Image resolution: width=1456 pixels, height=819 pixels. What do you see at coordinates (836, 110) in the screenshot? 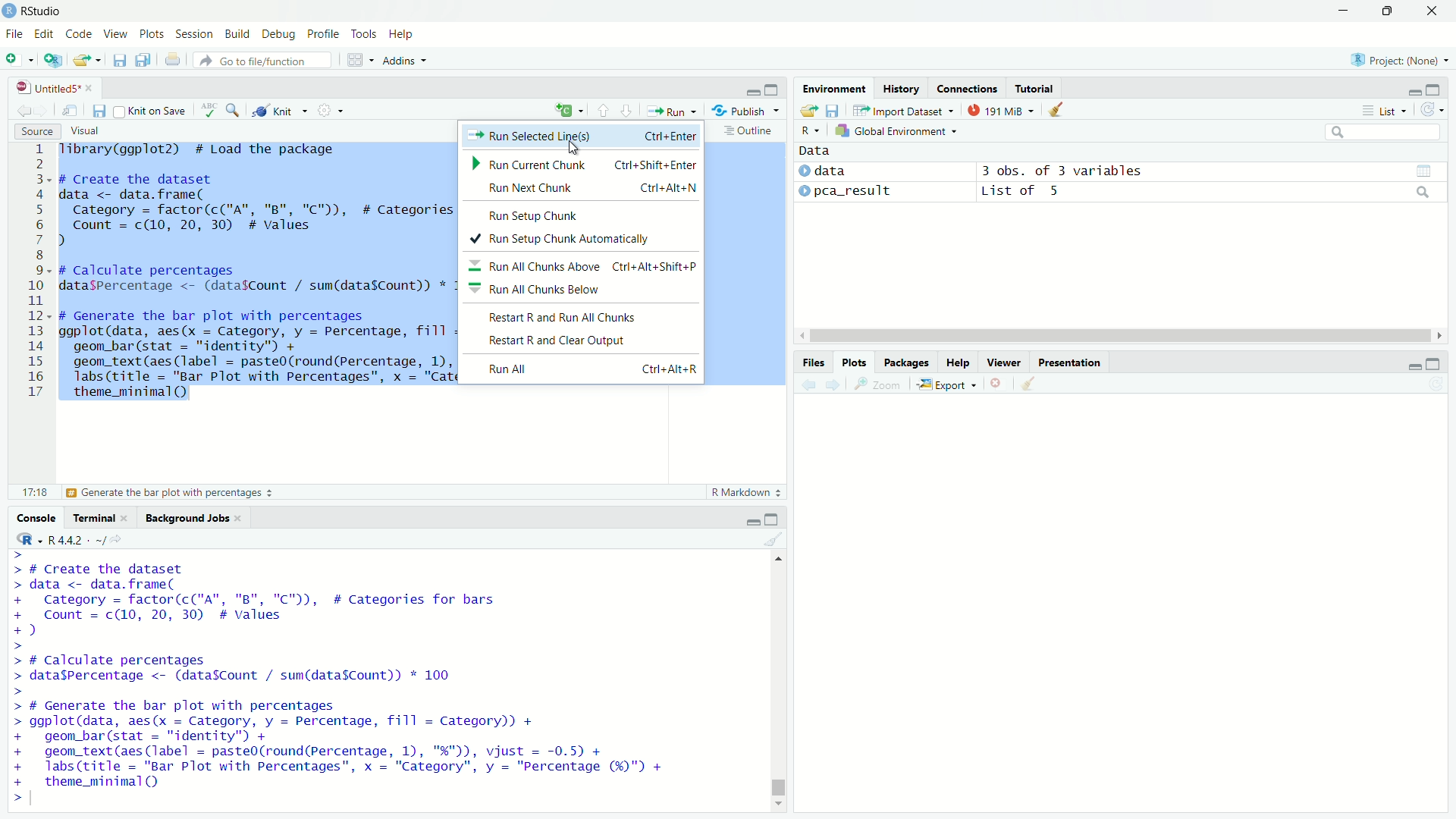
I see `save as workspace` at bounding box center [836, 110].